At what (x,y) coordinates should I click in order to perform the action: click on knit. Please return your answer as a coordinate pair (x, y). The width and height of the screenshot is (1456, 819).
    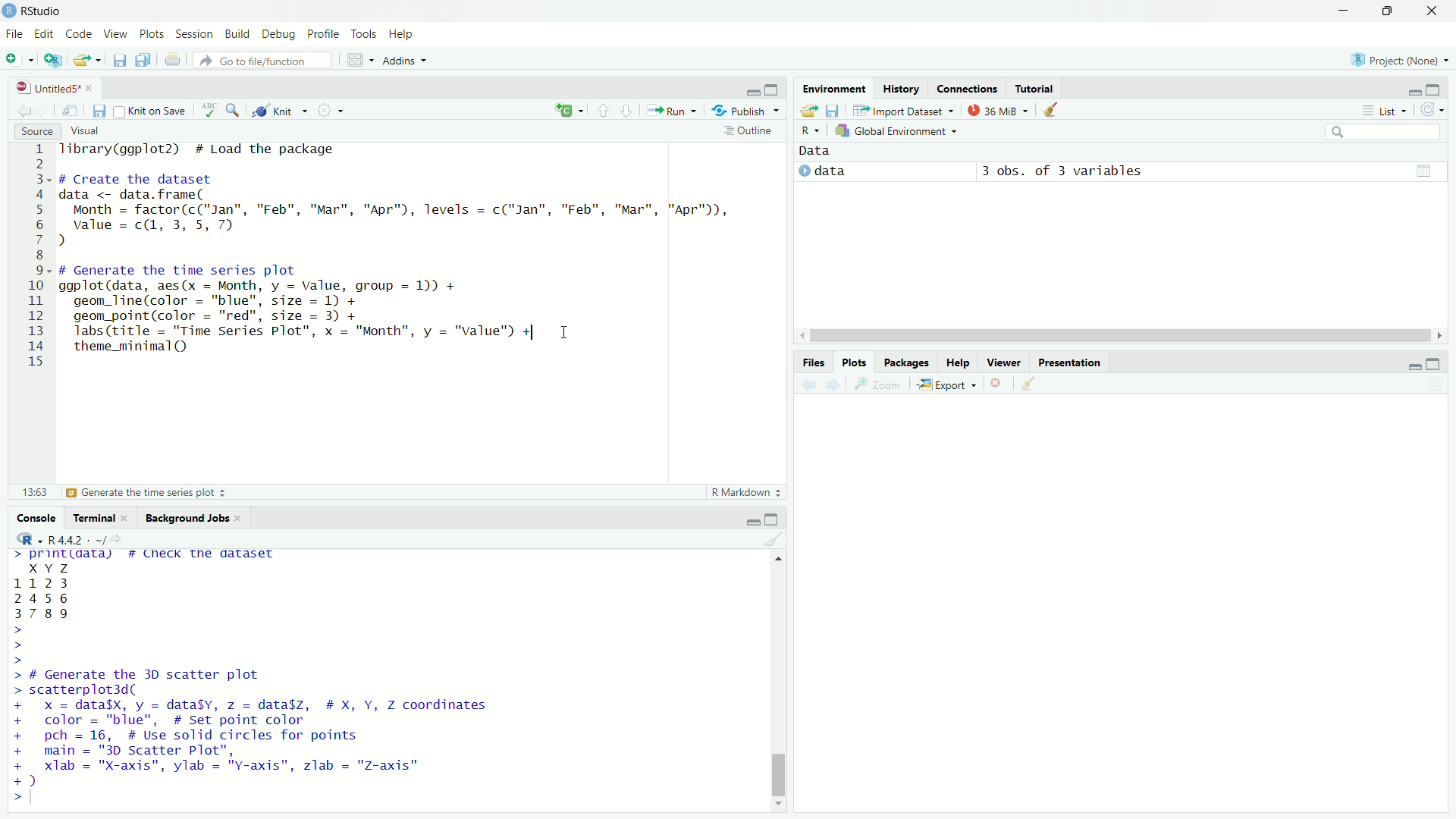
    Looking at the image, I should click on (281, 112).